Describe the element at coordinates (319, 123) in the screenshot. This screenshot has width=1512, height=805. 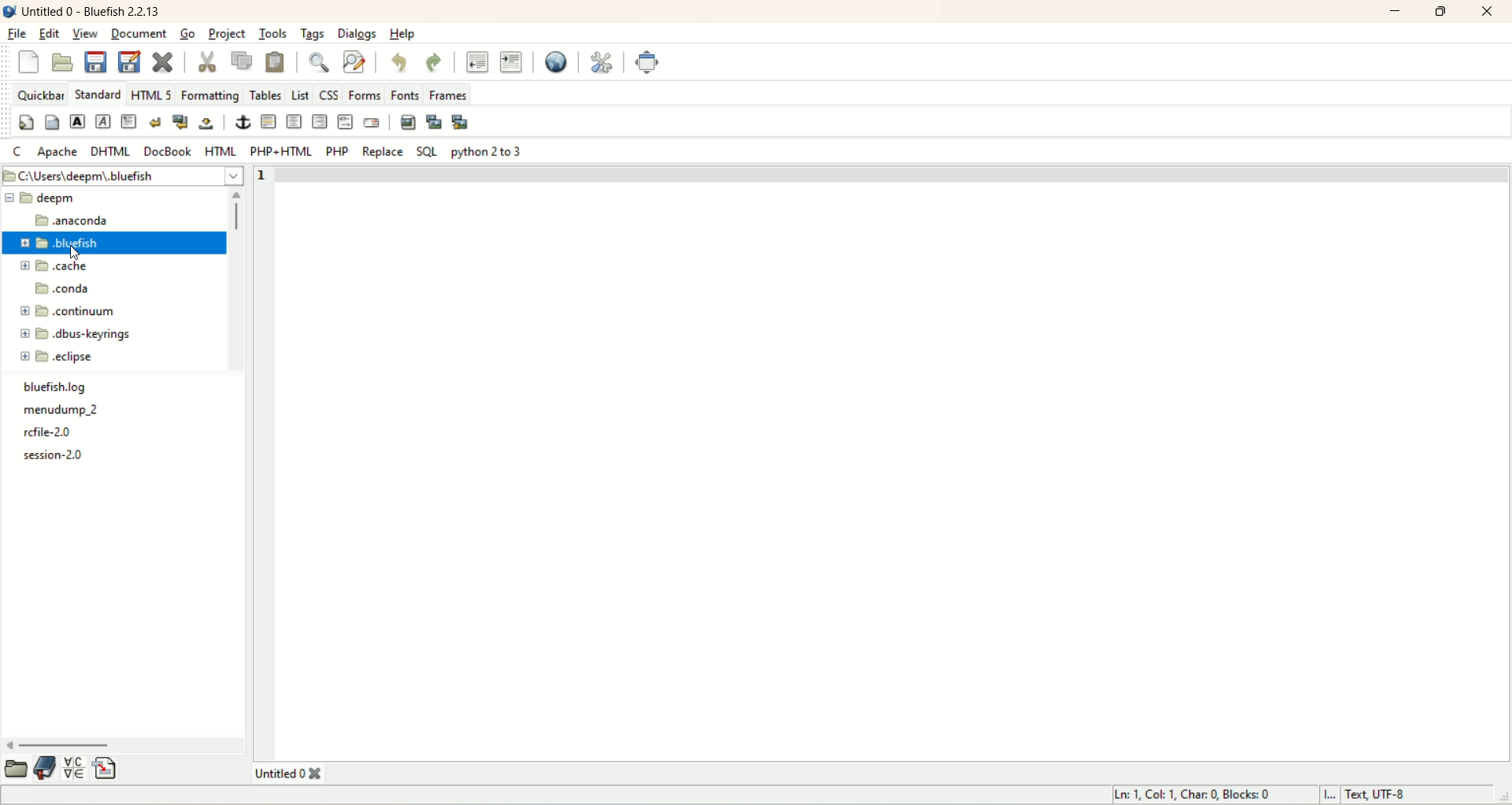
I see `right justify` at that location.